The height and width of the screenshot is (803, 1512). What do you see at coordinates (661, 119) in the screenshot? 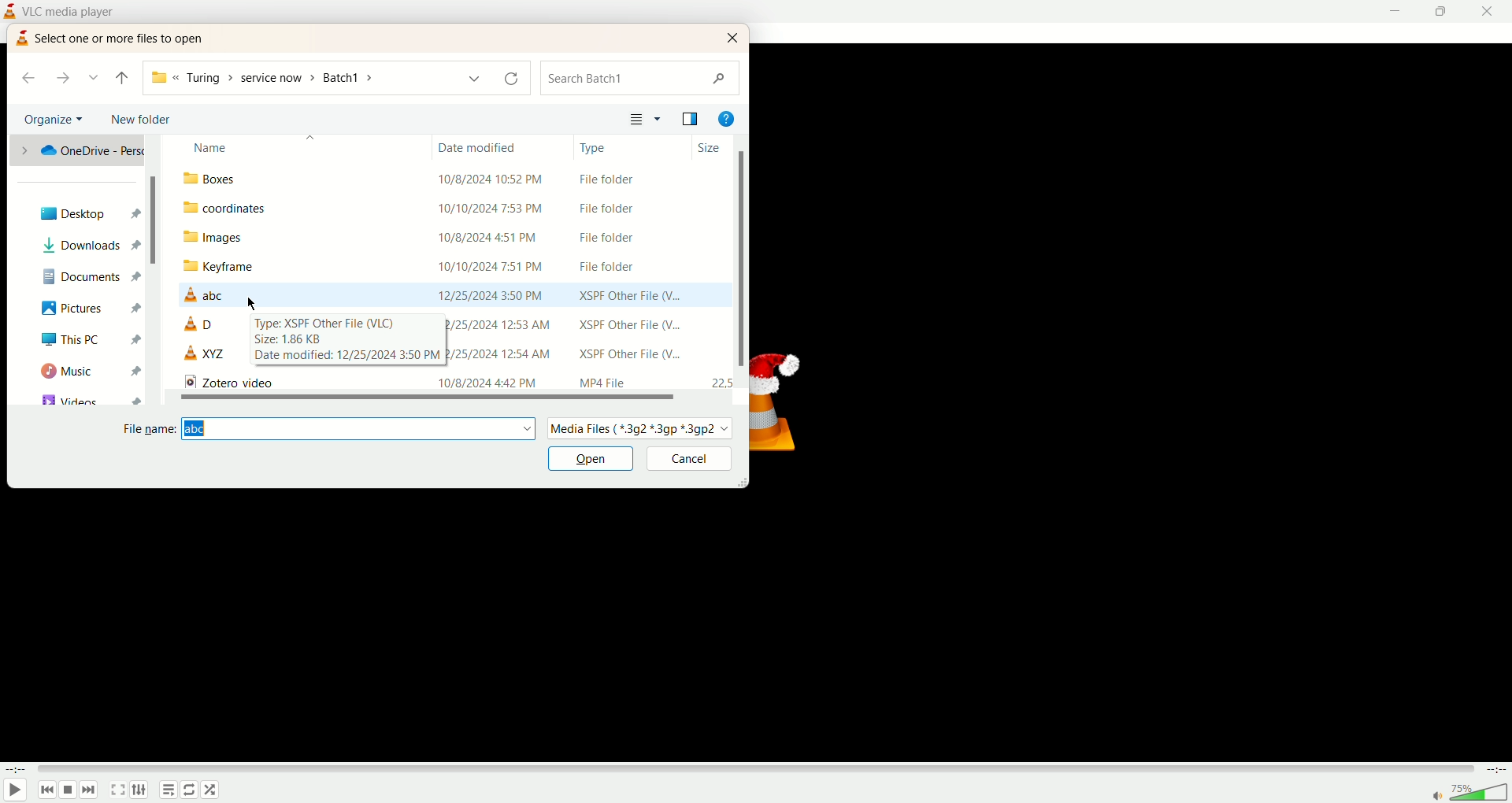
I see `options` at bounding box center [661, 119].